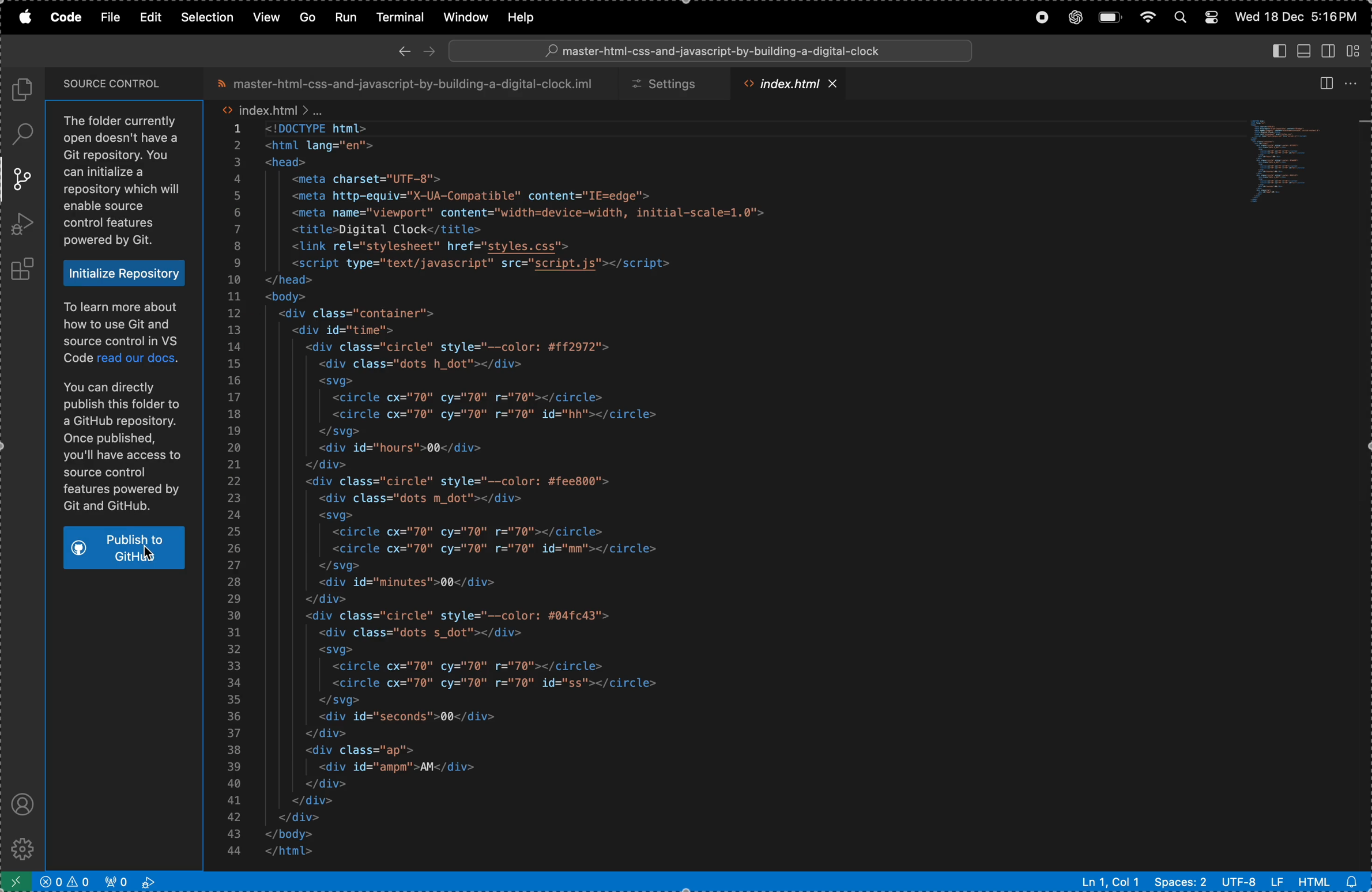  What do you see at coordinates (713, 51) in the screenshot?
I see `\aster-html-css-and-javascript-by-building-a-digital-clock` at bounding box center [713, 51].